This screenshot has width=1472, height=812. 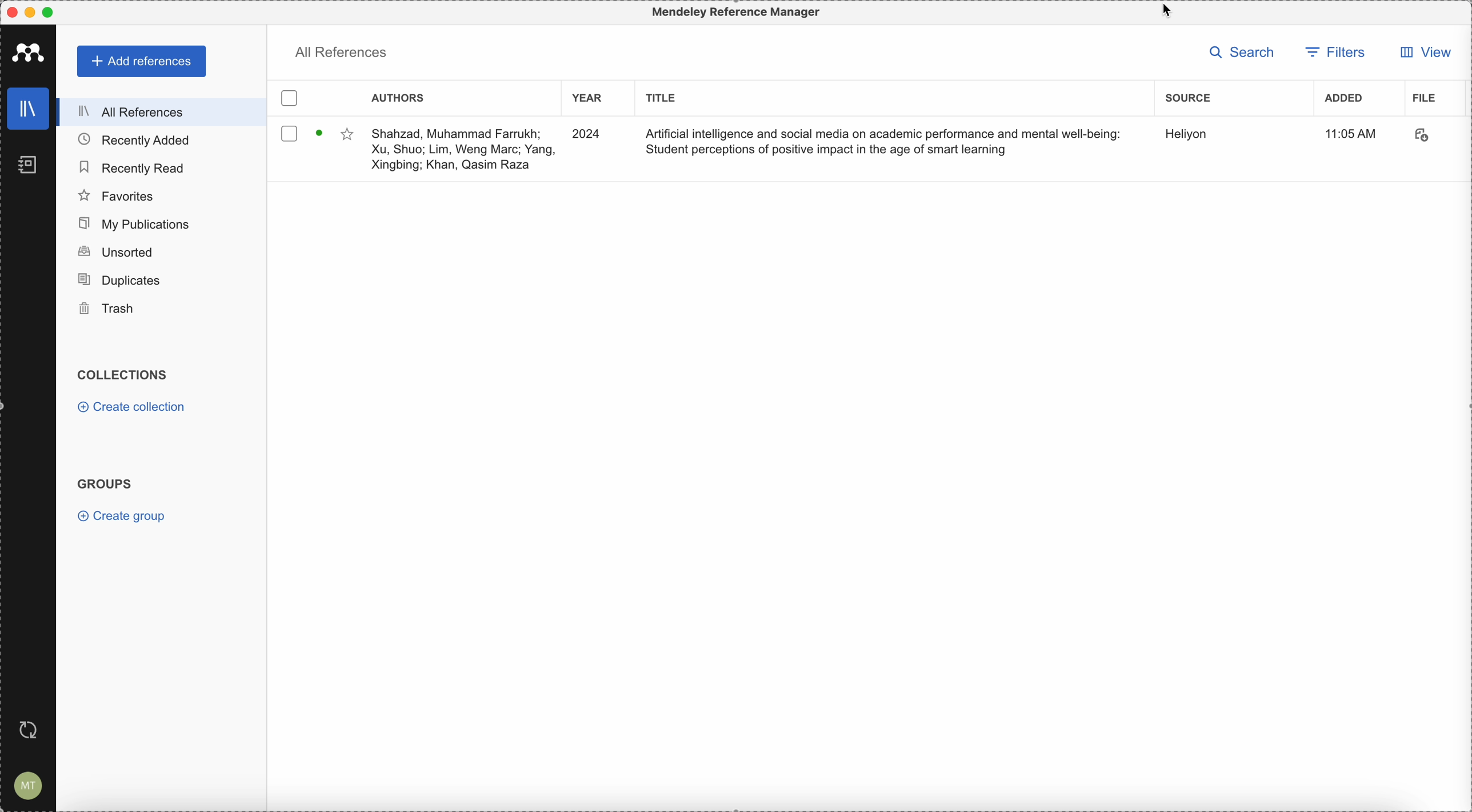 I want to click on library, so click(x=29, y=109).